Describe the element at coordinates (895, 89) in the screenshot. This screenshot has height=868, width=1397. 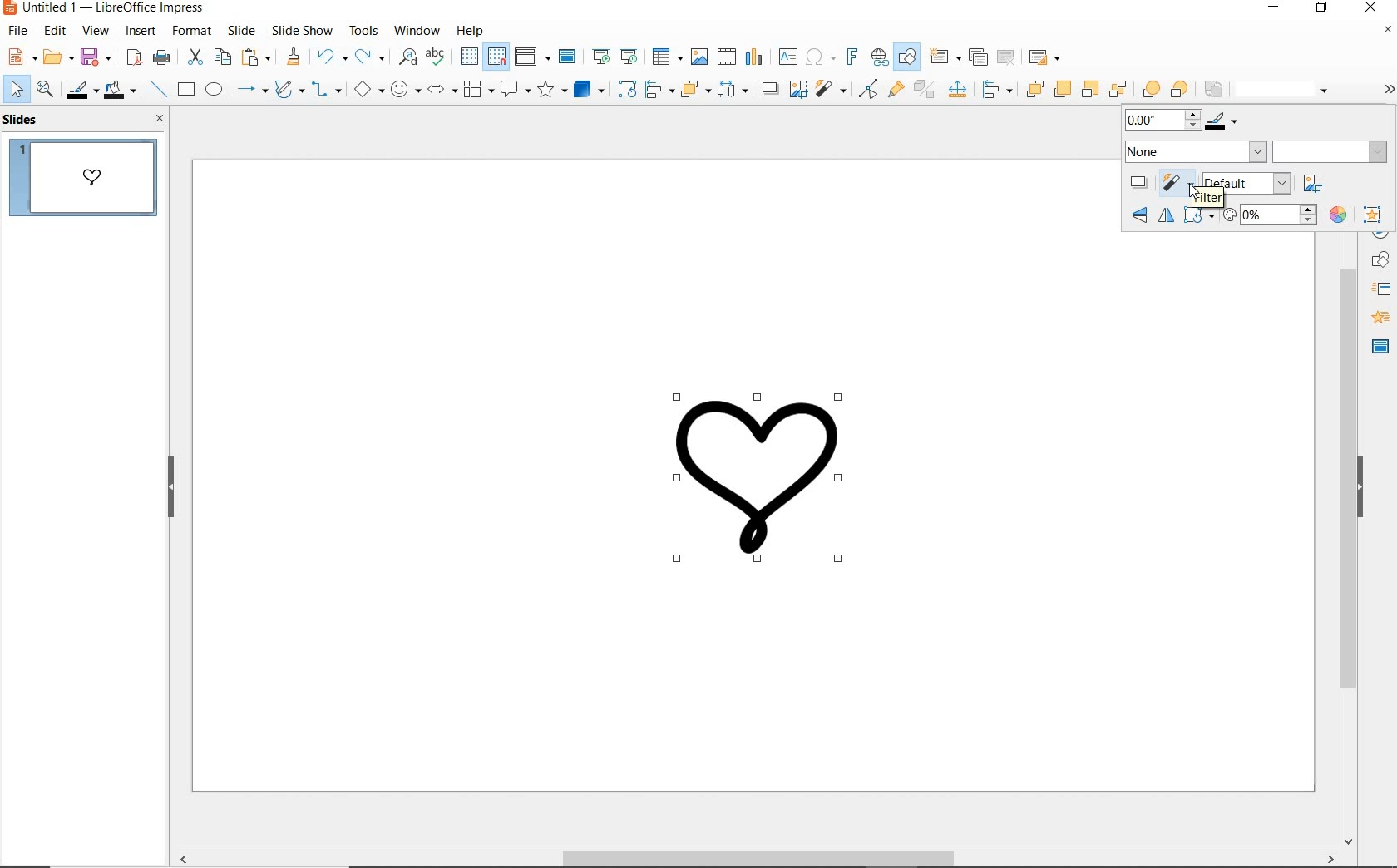
I see `show gluepoint functions` at that location.